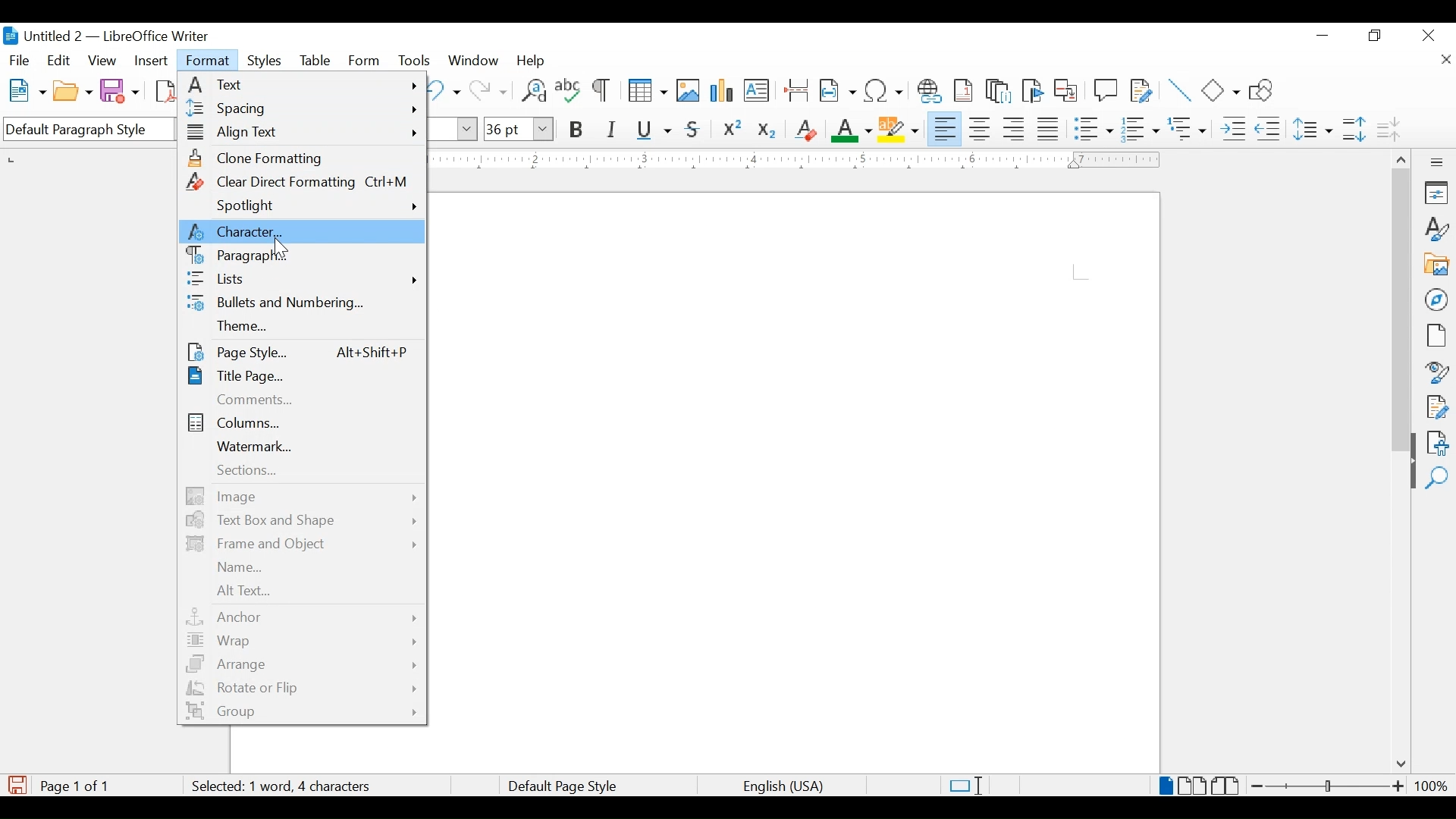 The image size is (1456, 819). What do you see at coordinates (1180, 90) in the screenshot?
I see `insert line` at bounding box center [1180, 90].